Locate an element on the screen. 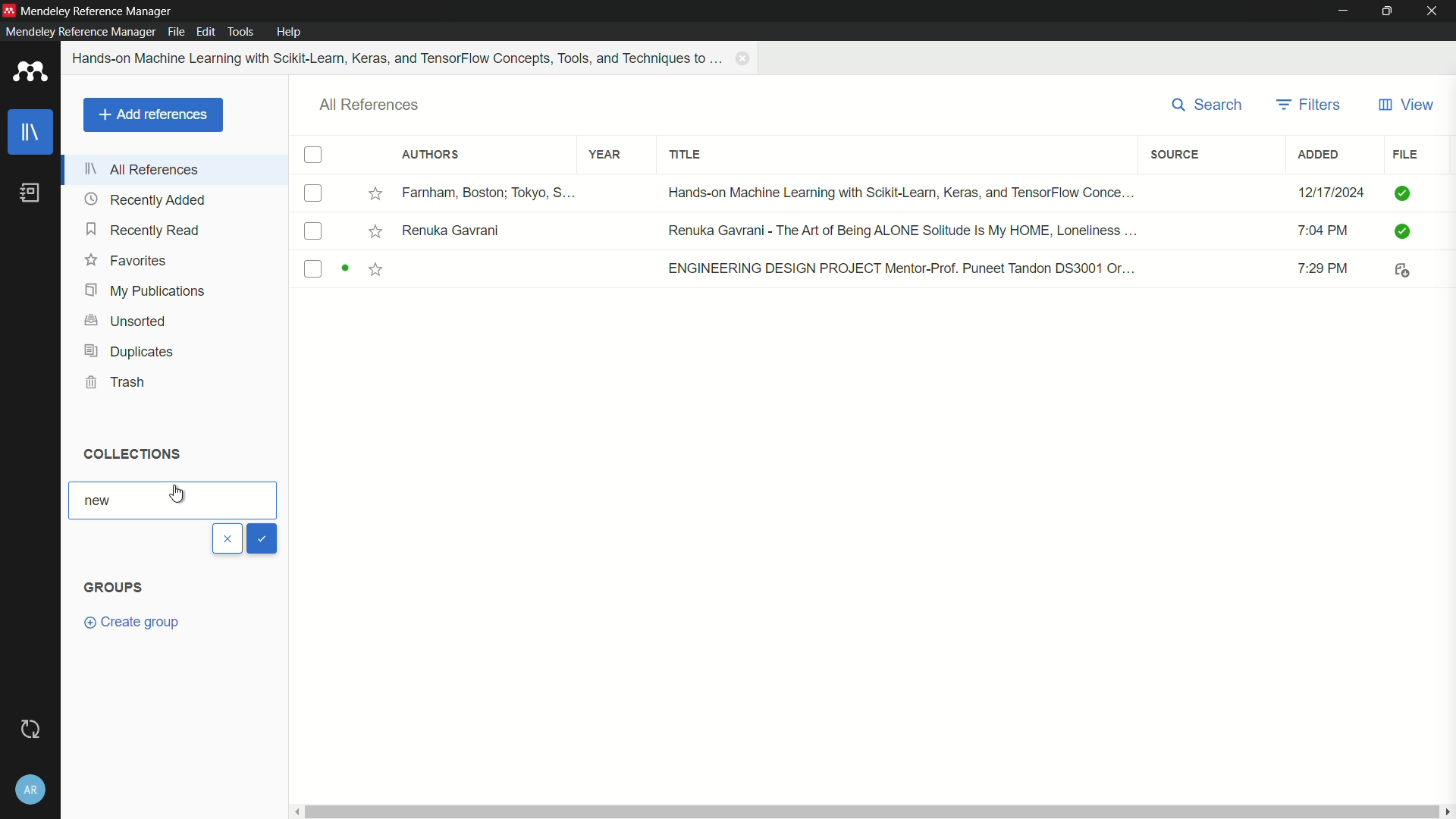  trash is located at coordinates (117, 383).